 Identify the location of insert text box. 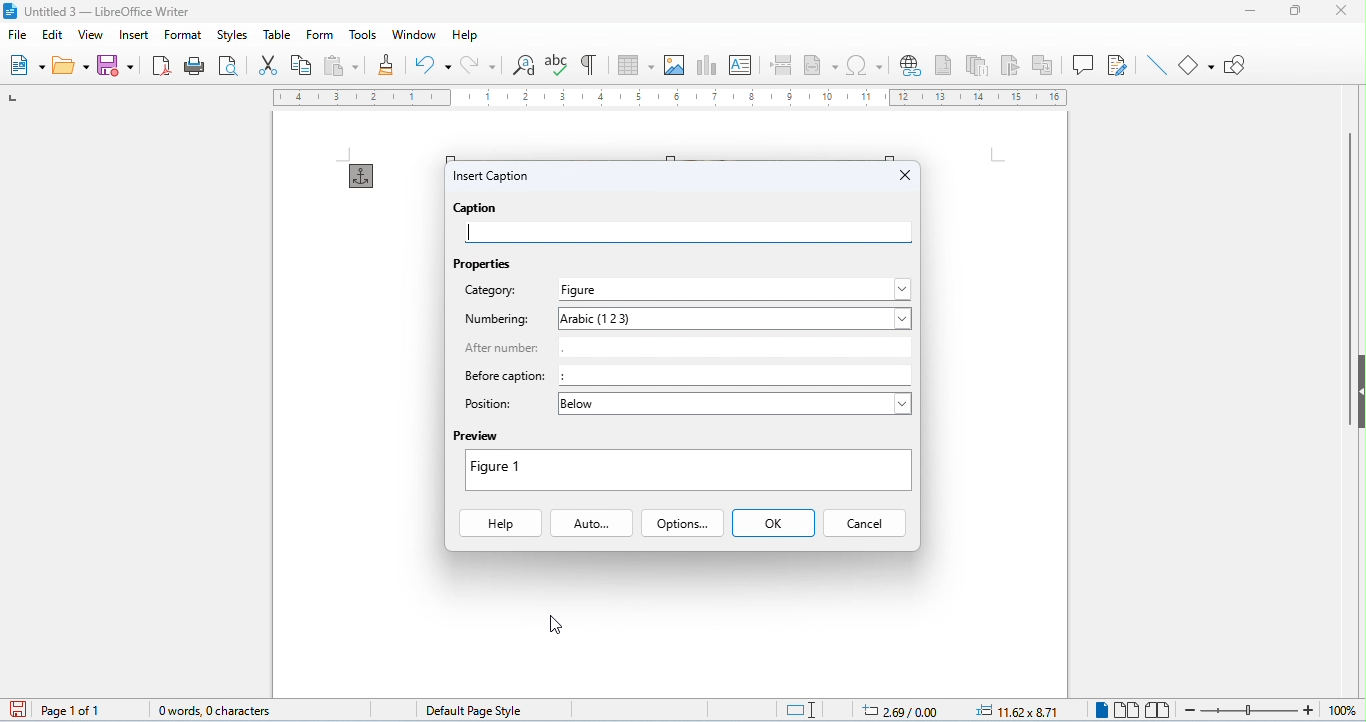
(742, 66).